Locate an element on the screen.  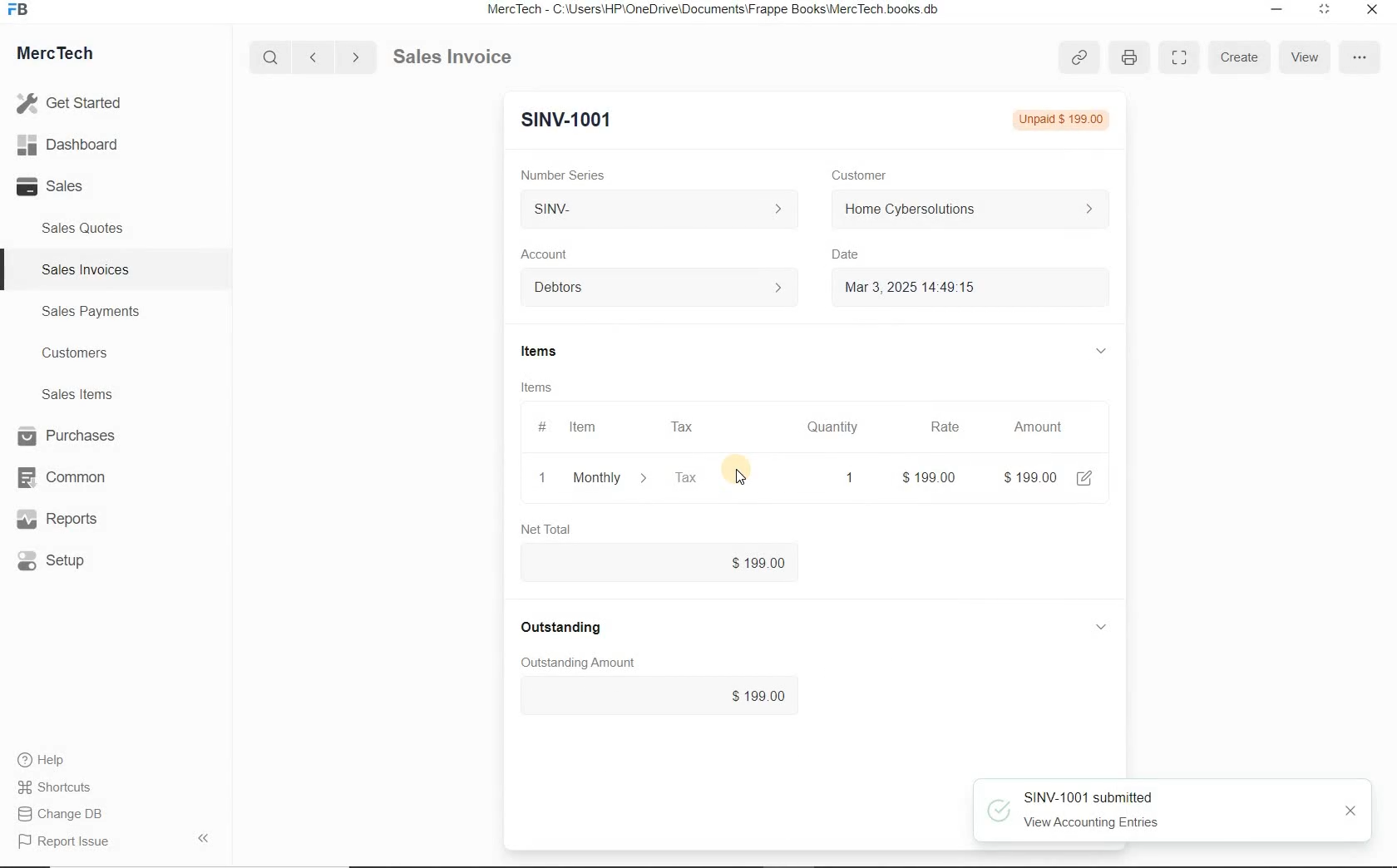
Outstanding is located at coordinates (561, 628).